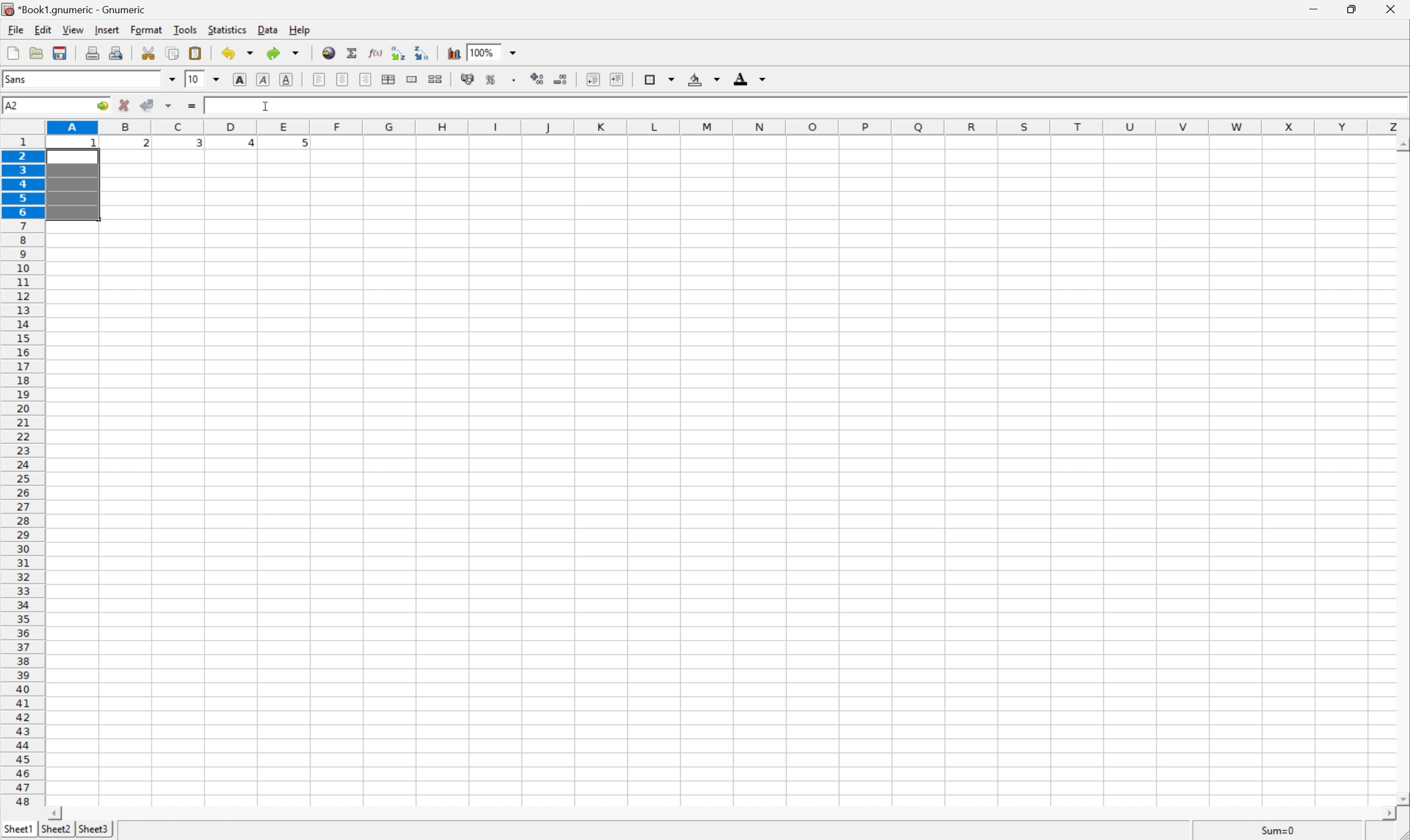 The width and height of the screenshot is (1410, 840). I want to click on scroll up, so click(1401, 146).